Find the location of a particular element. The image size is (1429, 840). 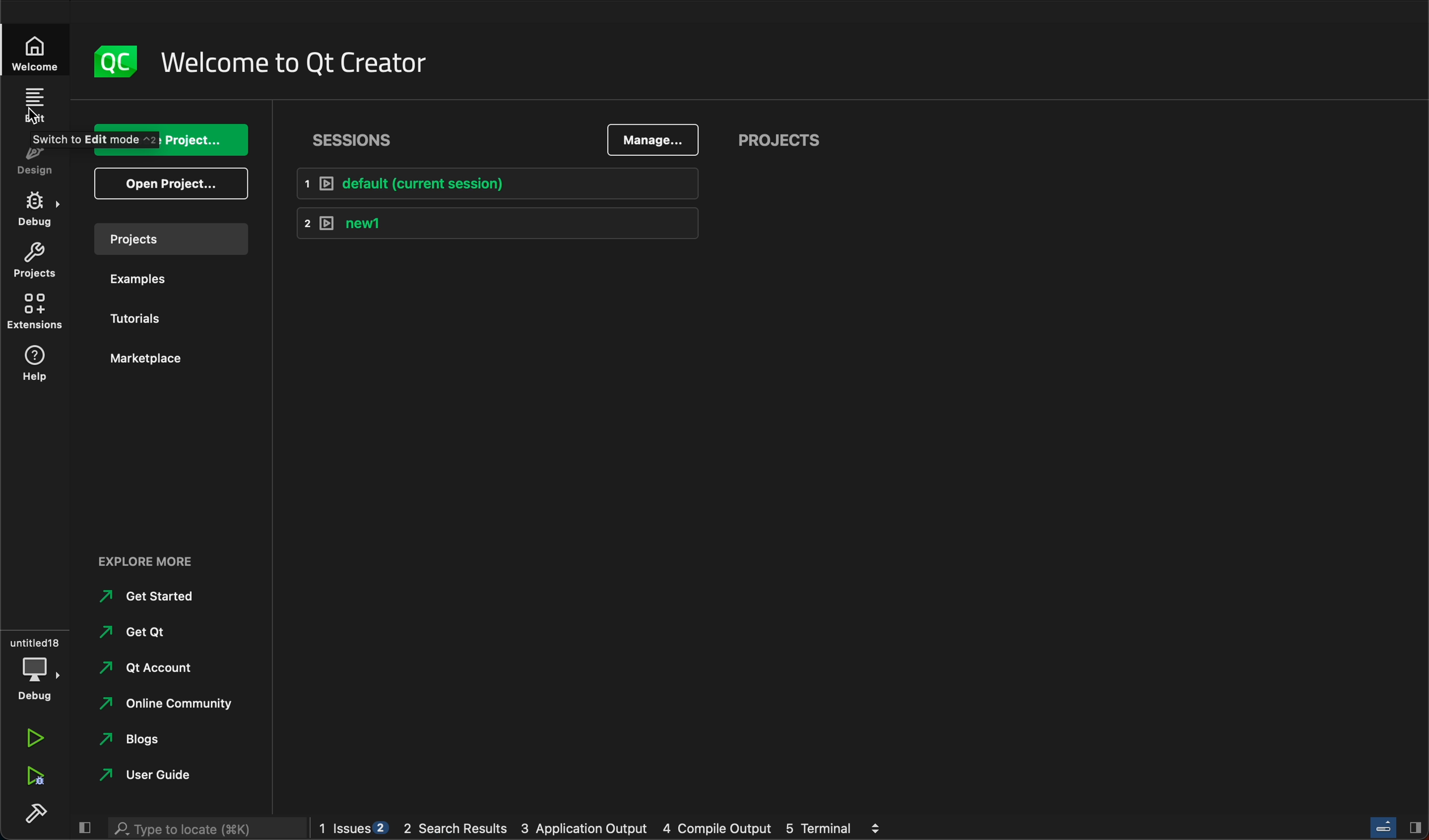

debug is located at coordinates (43, 210).